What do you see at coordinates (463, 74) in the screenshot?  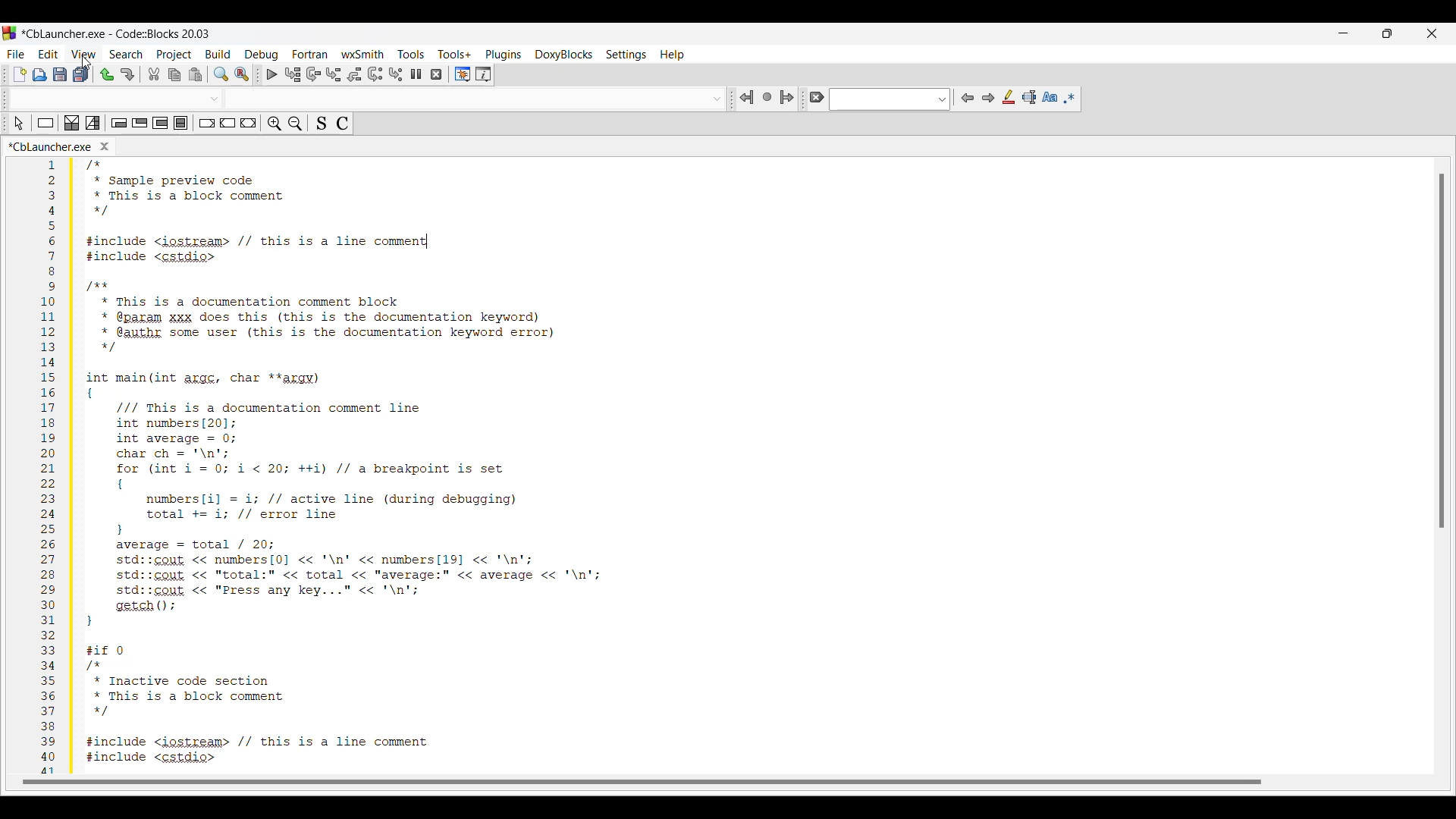 I see `Debugging windows` at bounding box center [463, 74].